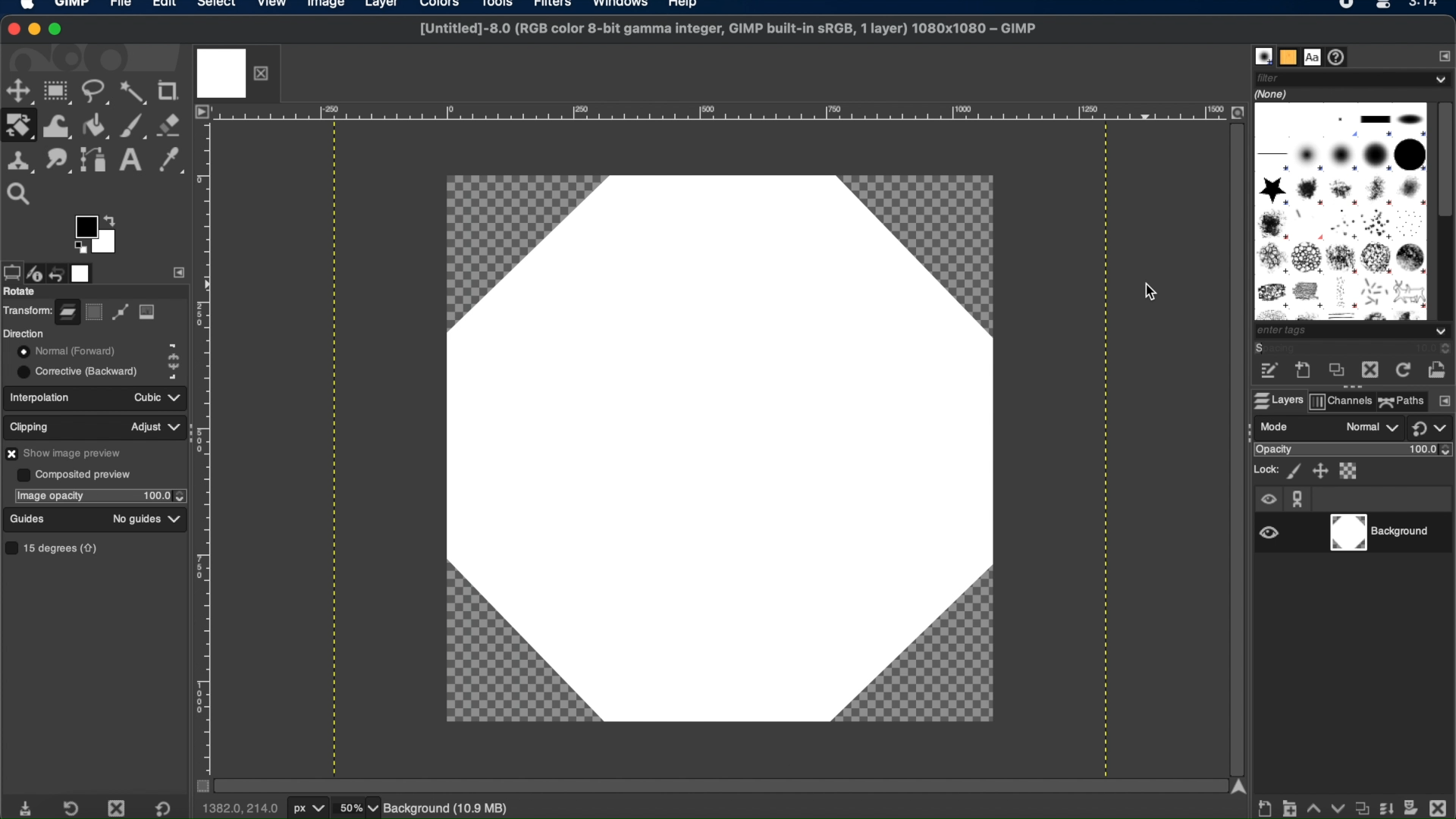 This screenshot has width=1456, height=819. Describe the element at coordinates (720, 114) in the screenshot. I see `margin` at that location.